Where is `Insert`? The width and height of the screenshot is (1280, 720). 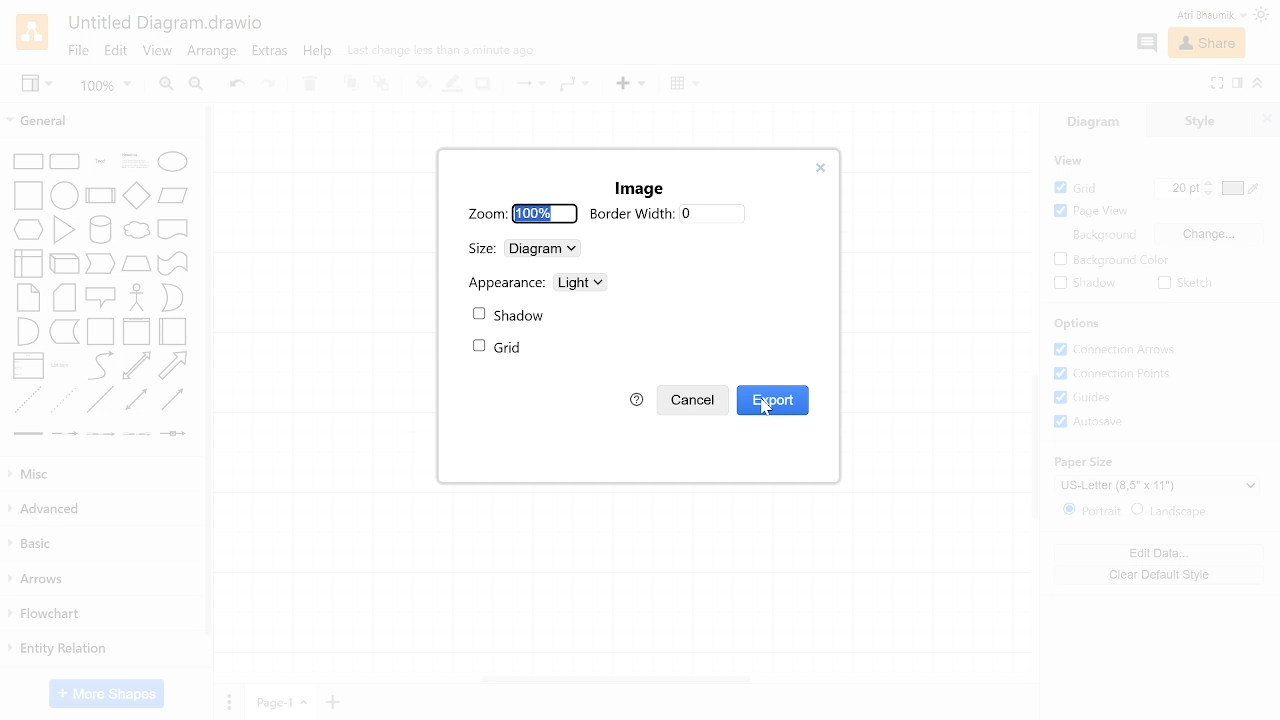 Insert is located at coordinates (630, 84).